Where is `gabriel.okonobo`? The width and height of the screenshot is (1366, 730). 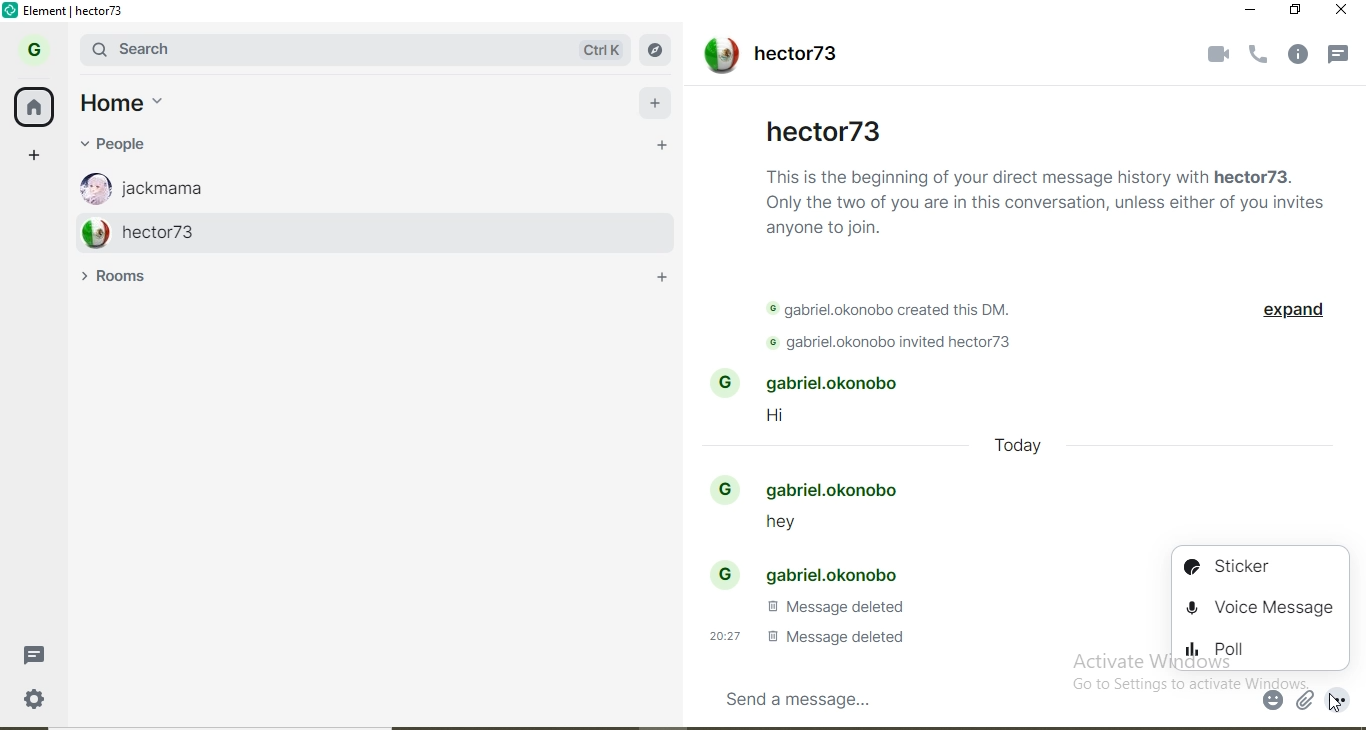 gabriel.okonobo is located at coordinates (816, 489).